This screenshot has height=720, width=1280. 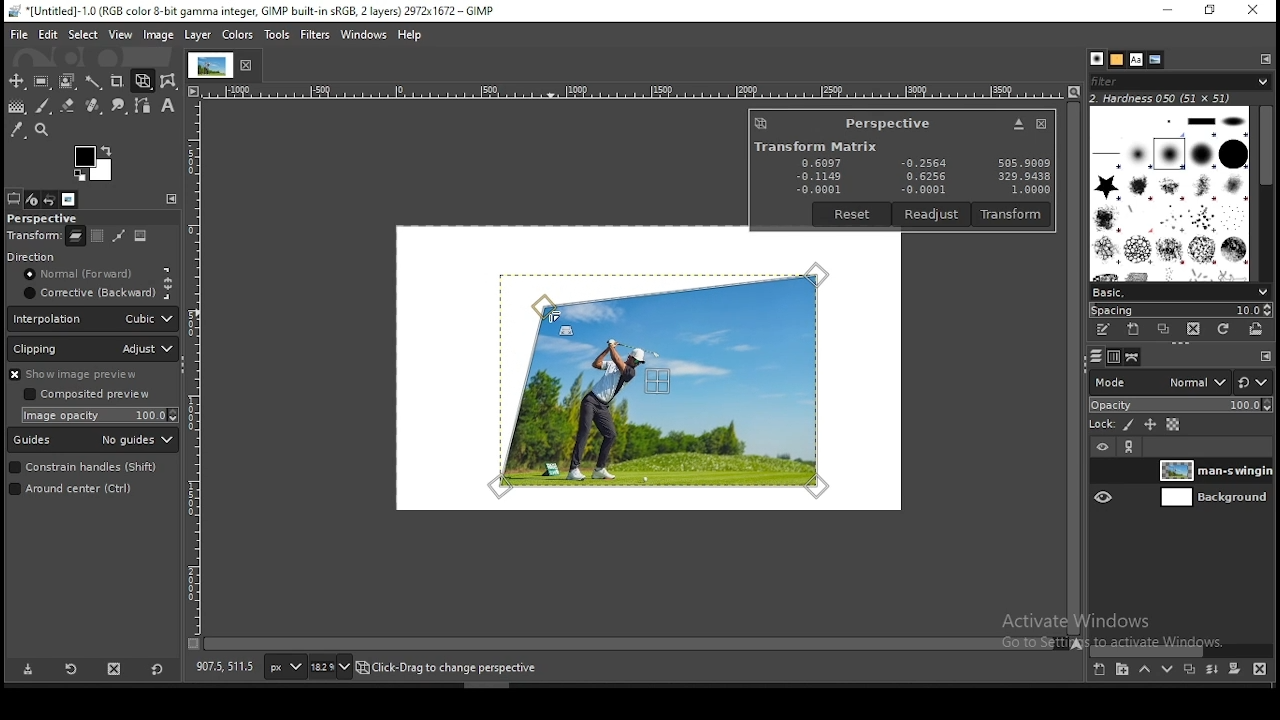 I want to click on selection, so click(x=120, y=236).